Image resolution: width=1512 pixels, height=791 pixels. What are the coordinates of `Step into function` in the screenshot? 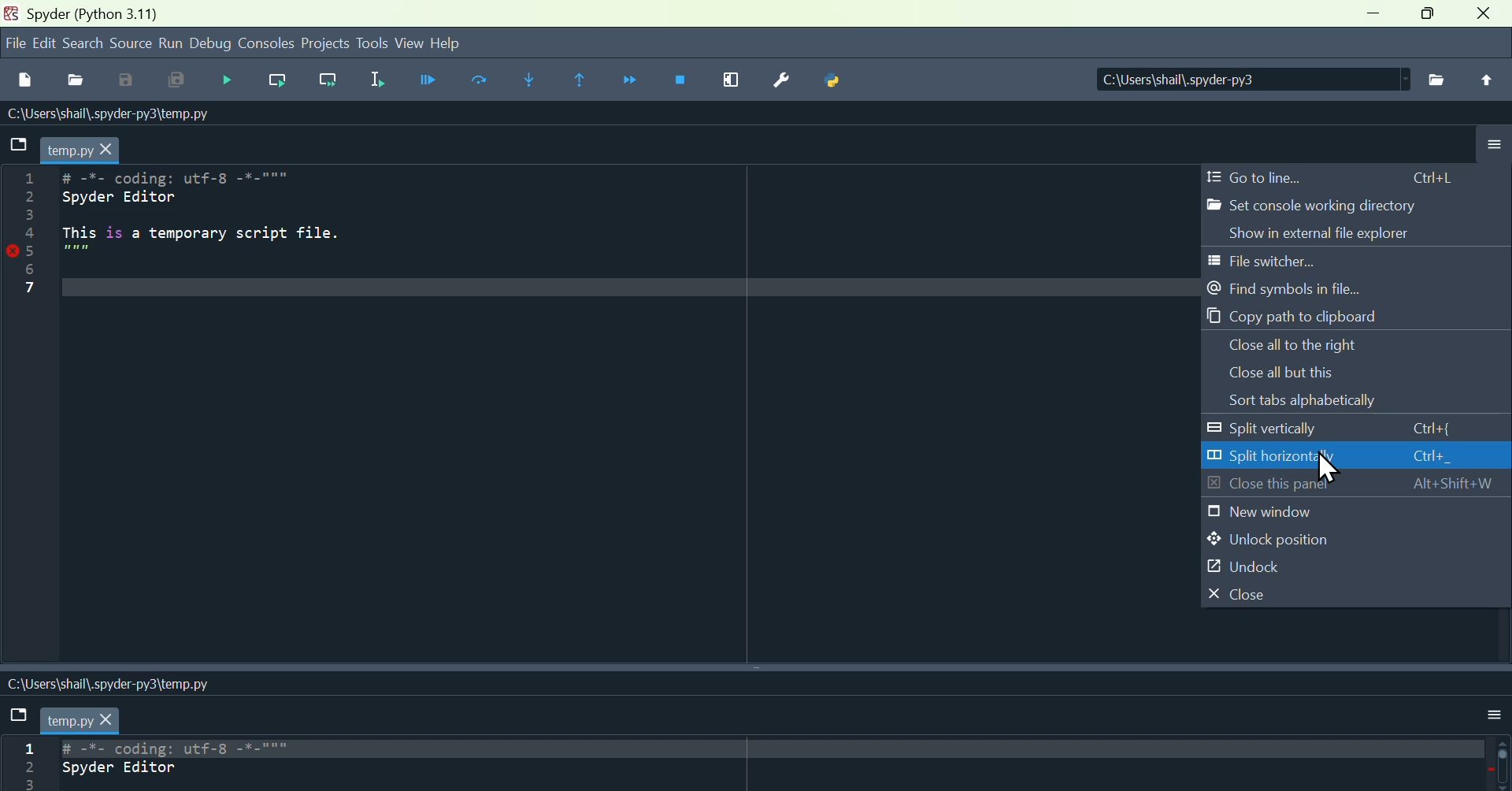 It's located at (530, 81).